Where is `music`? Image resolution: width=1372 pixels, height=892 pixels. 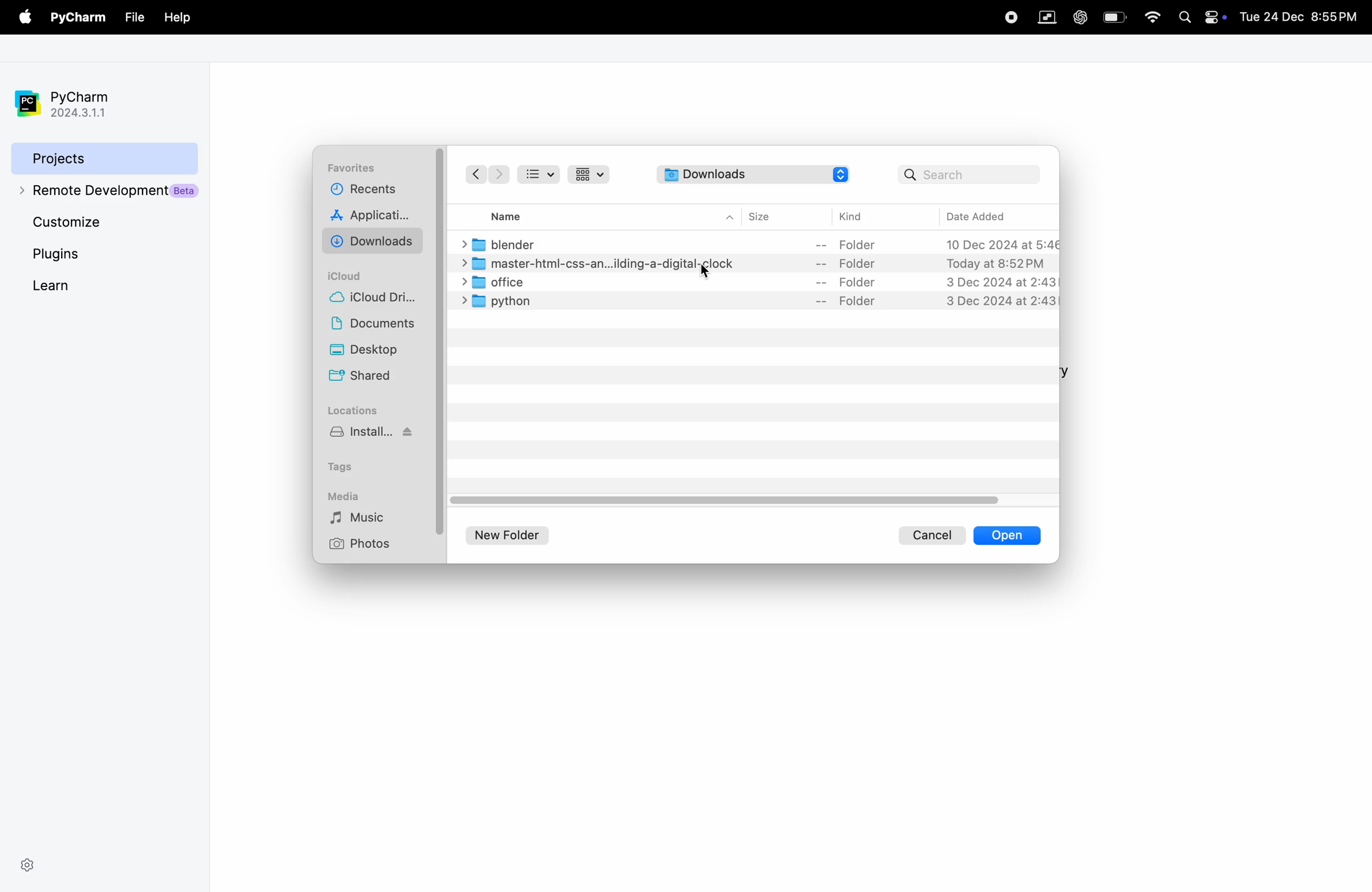
music is located at coordinates (367, 518).